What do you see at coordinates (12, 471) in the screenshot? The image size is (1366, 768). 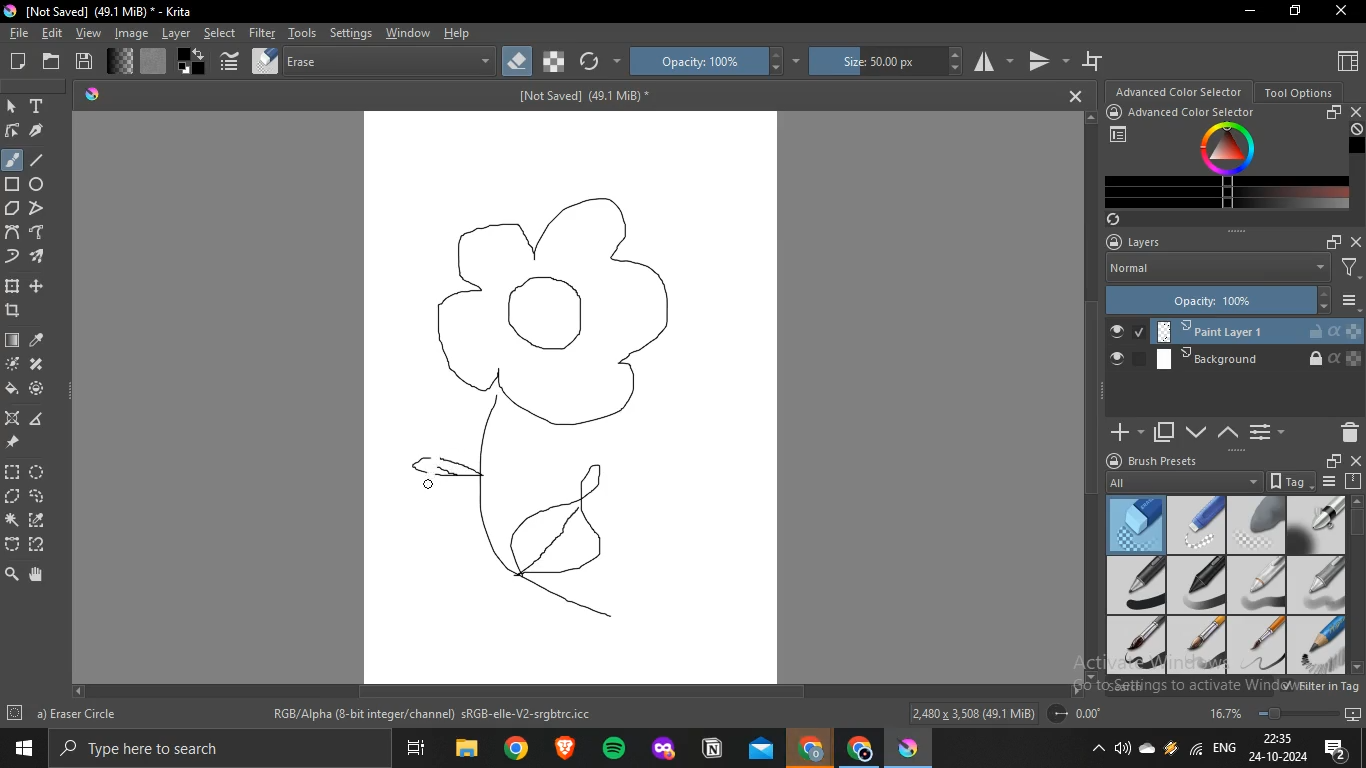 I see `rectange selection tool` at bounding box center [12, 471].